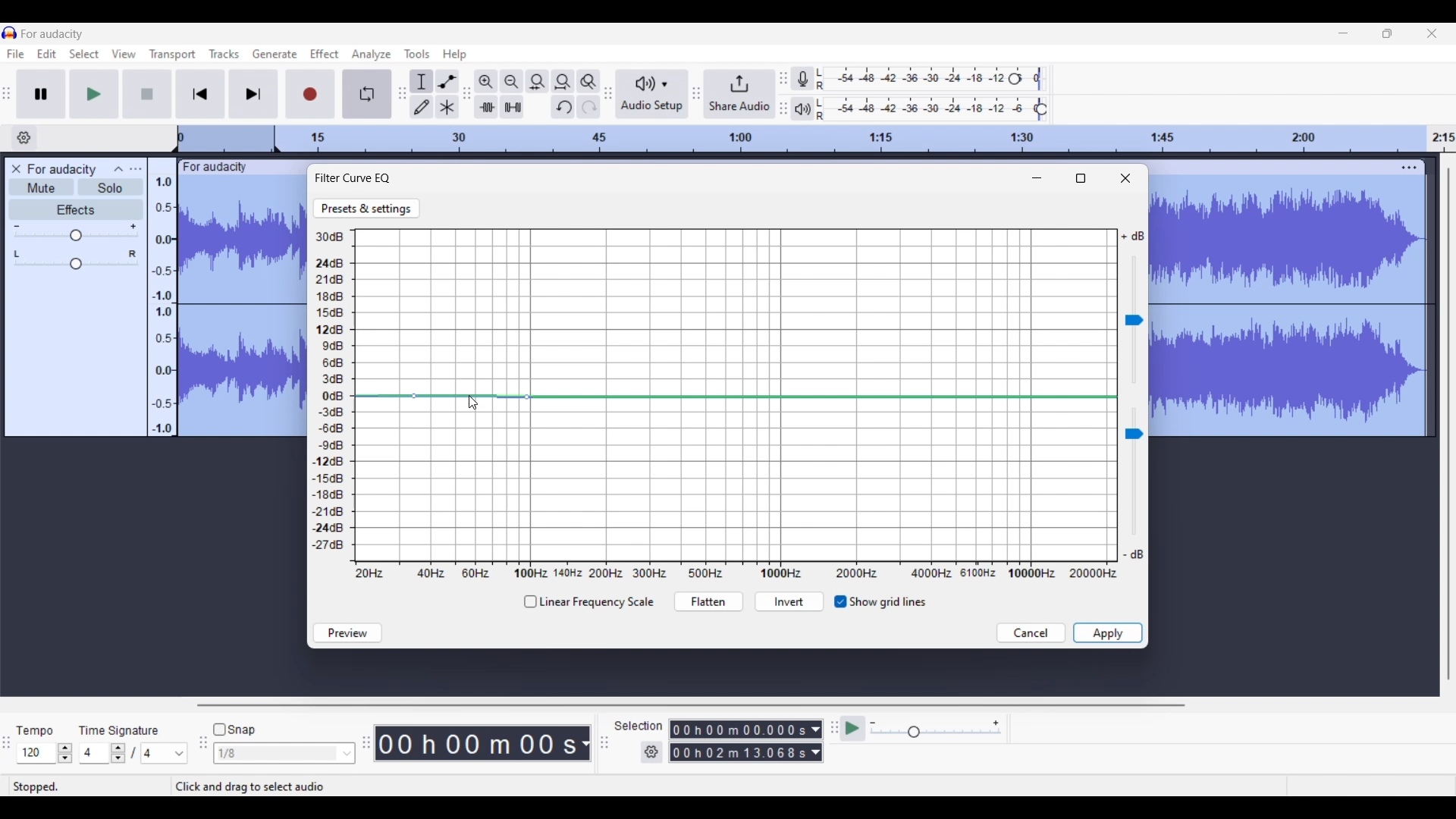 The image size is (1456, 819). Describe the element at coordinates (447, 106) in the screenshot. I see `Multi-tool` at that location.